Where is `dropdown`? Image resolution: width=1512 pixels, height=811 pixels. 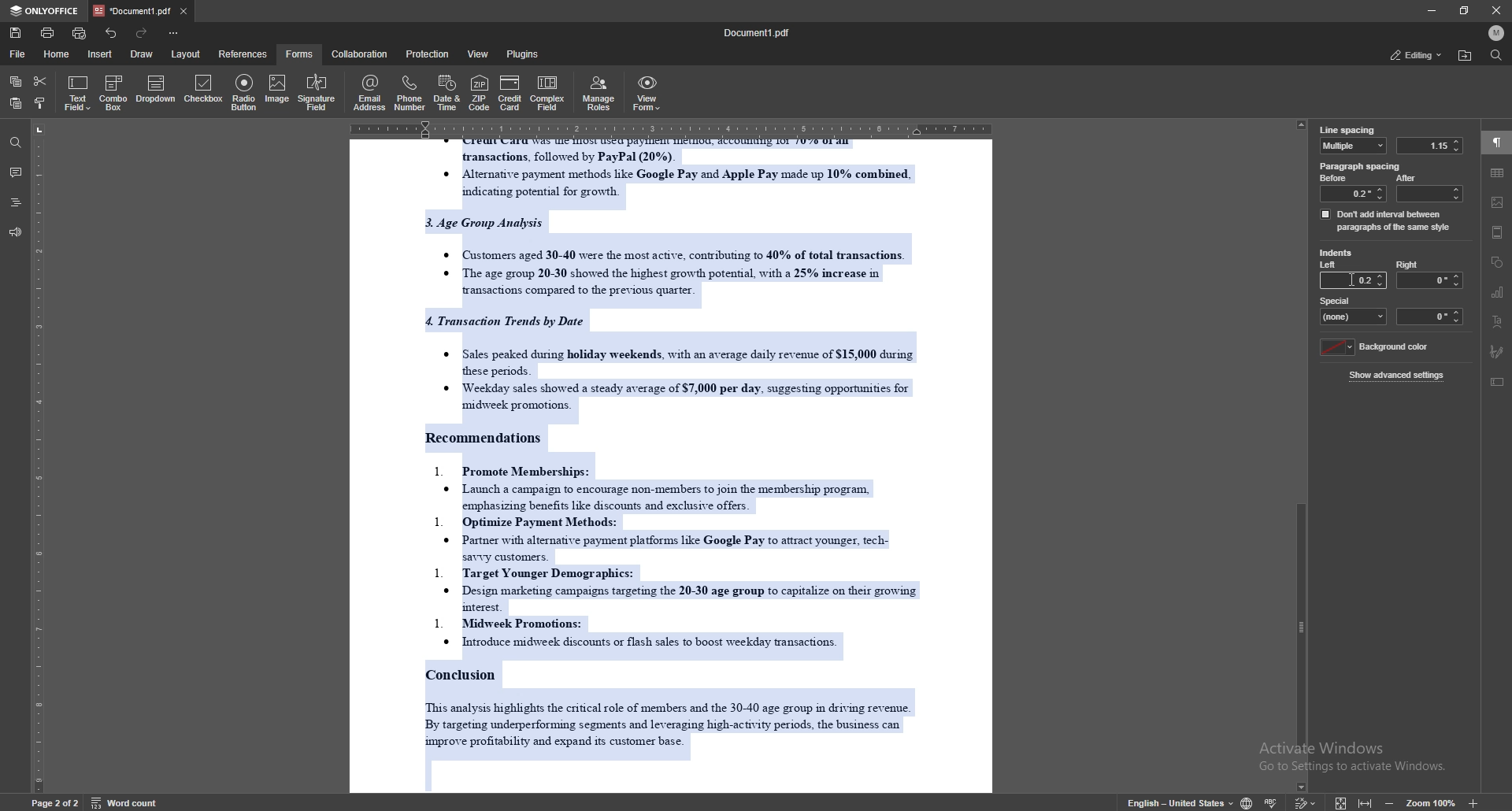
dropdown is located at coordinates (156, 91).